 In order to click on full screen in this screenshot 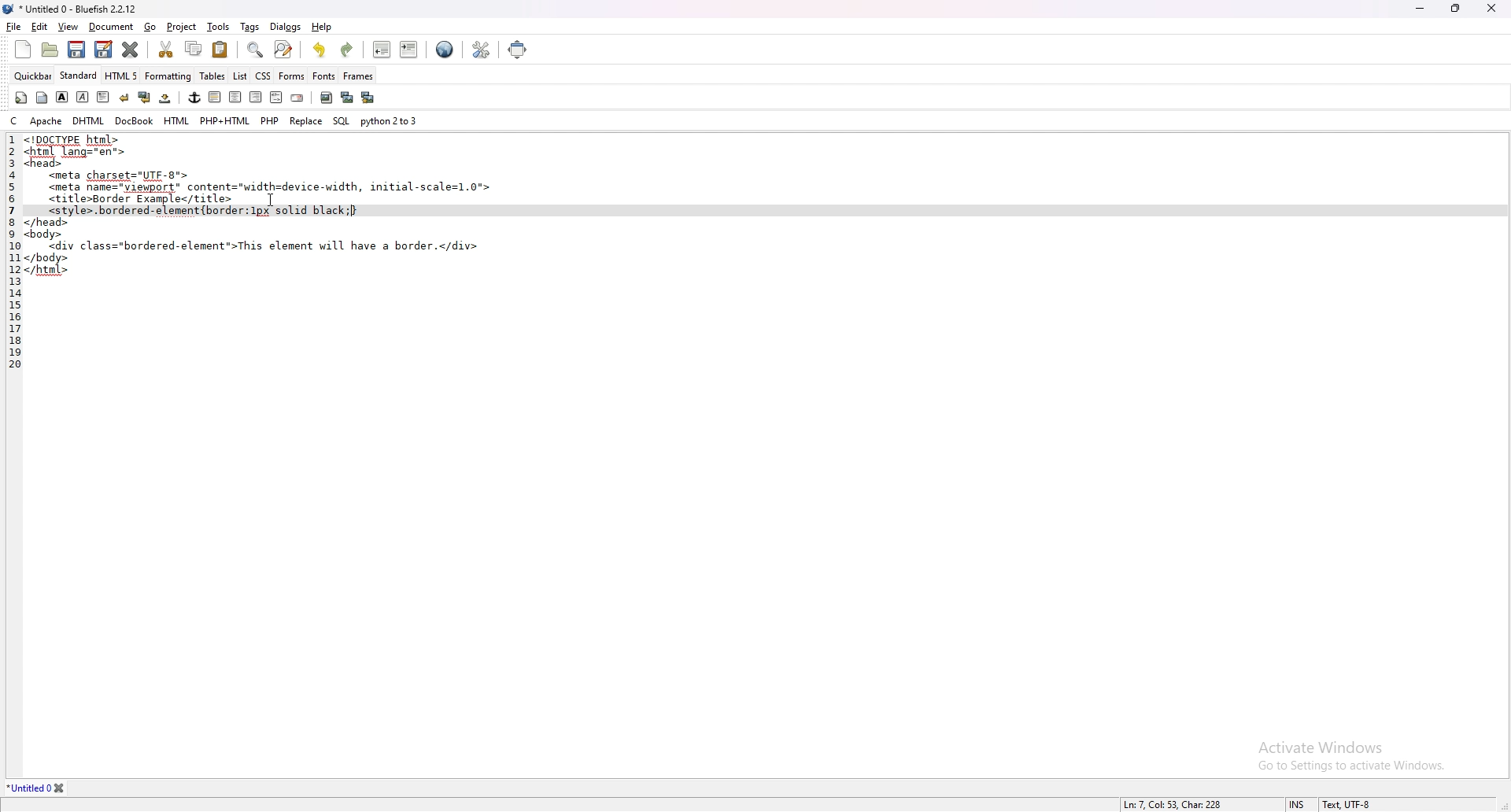, I will do `click(518, 49)`.